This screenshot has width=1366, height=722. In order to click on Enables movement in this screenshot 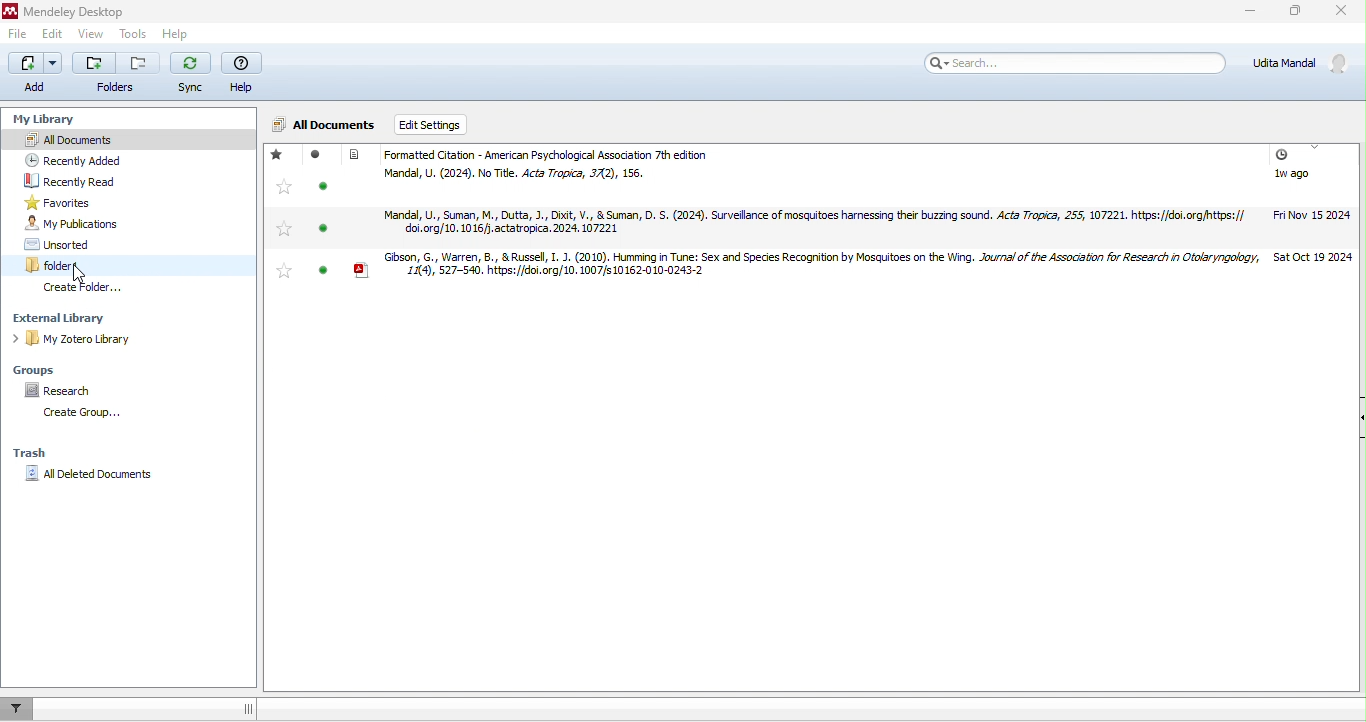, I will do `click(248, 709)`.